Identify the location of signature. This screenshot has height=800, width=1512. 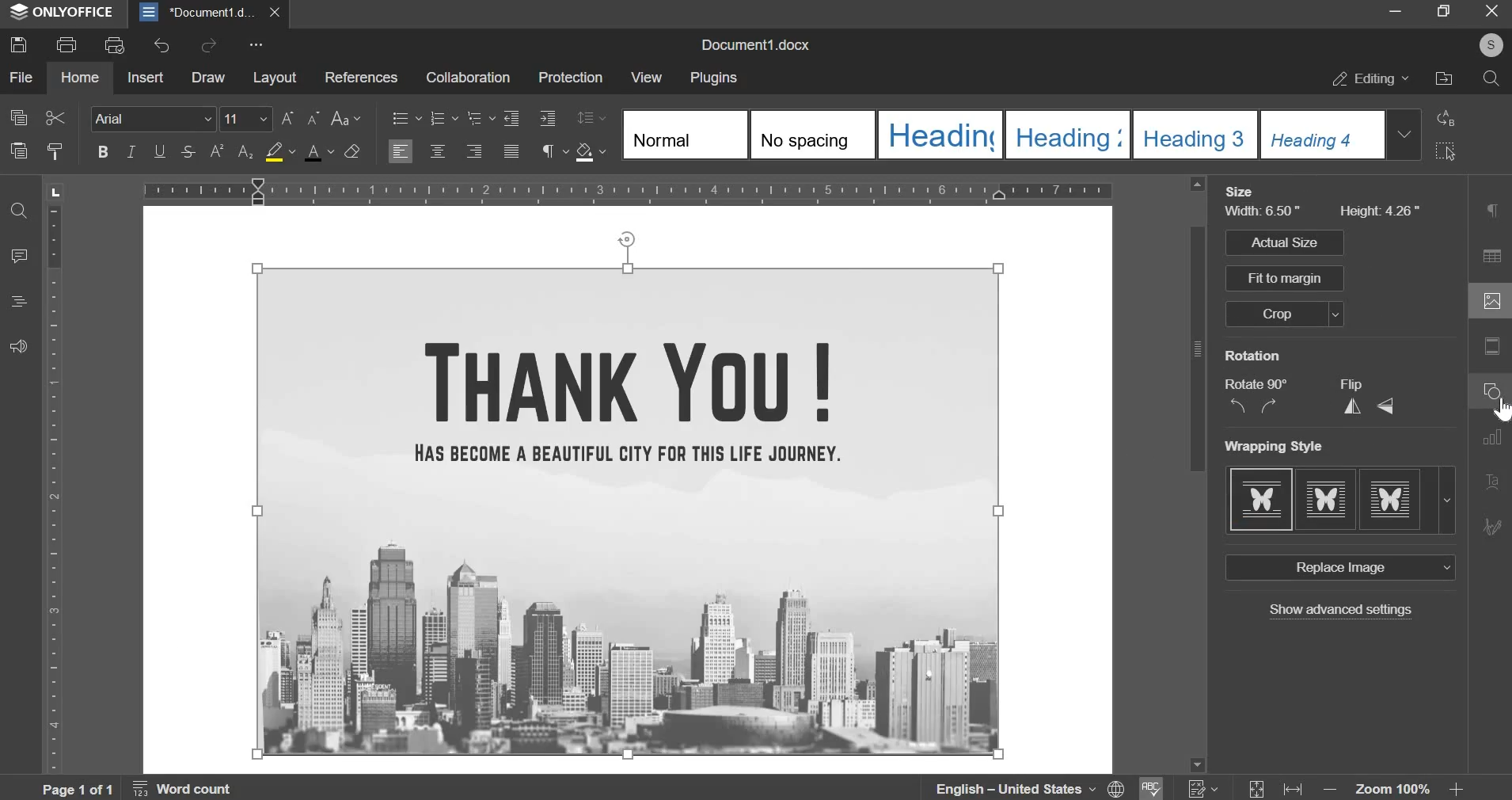
(1495, 526).